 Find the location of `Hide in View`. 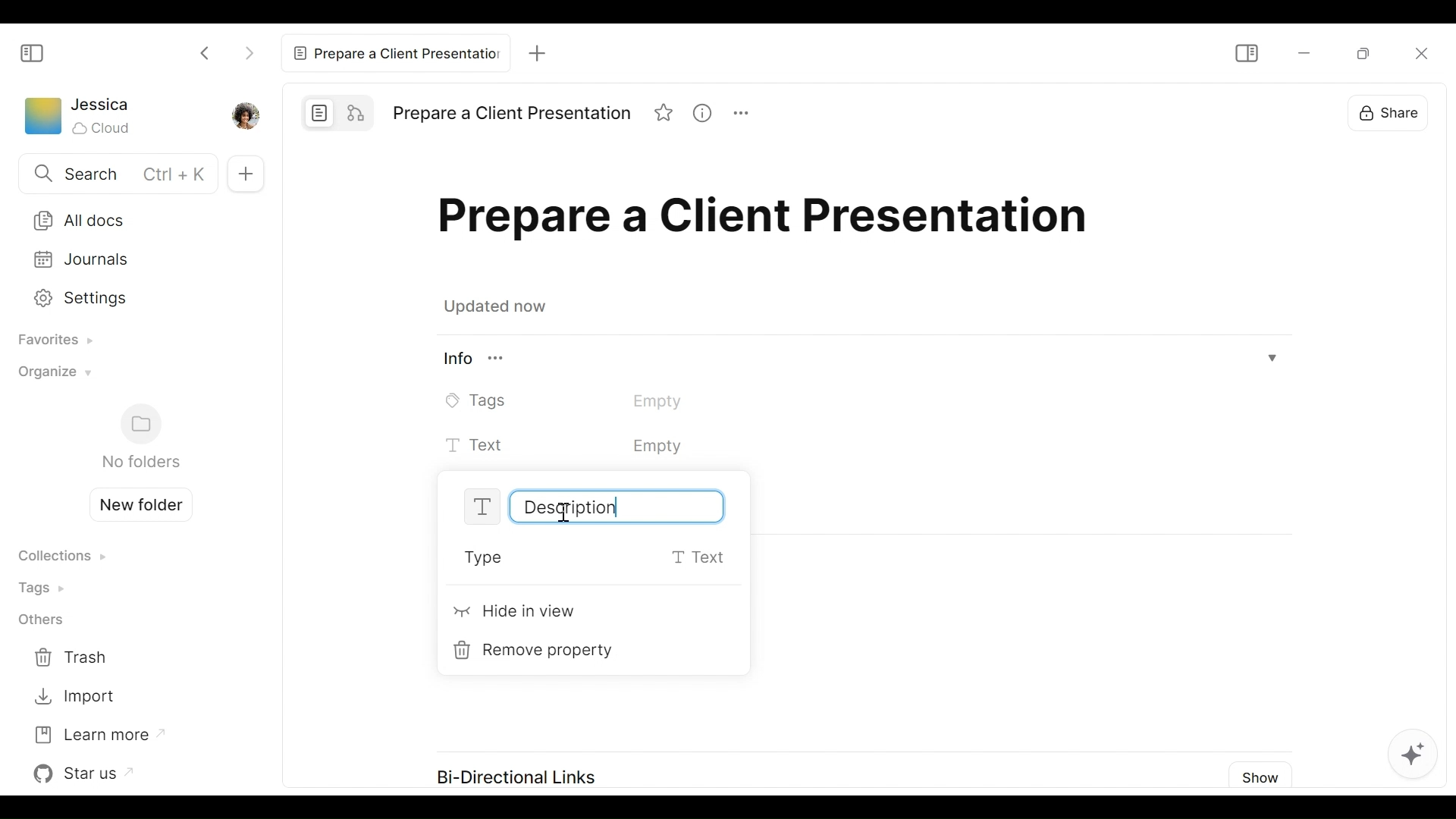

Hide in View is located at coordinates (516, 614).